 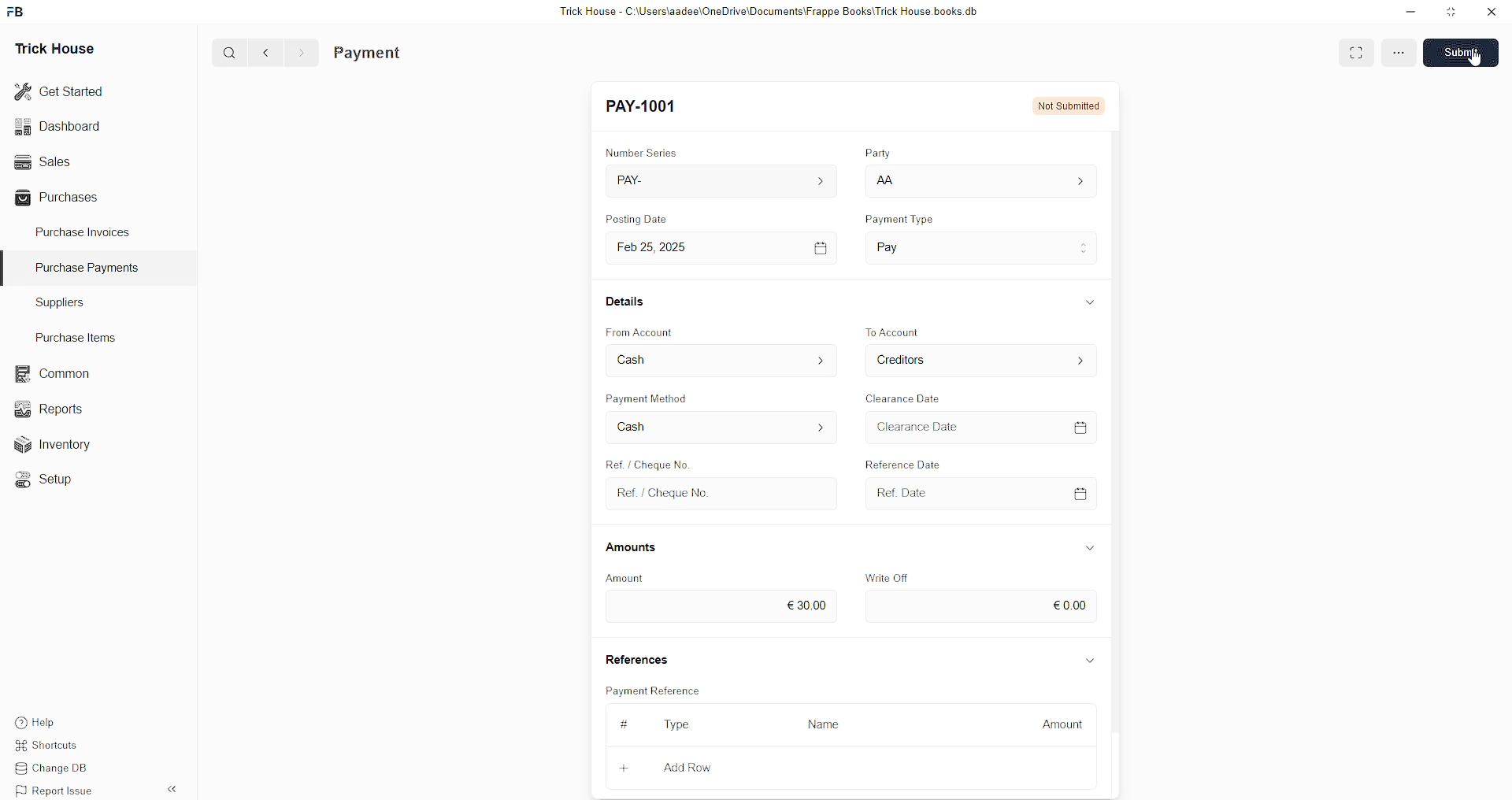 I want to click on minimise down, so click(x=1408, y=12).